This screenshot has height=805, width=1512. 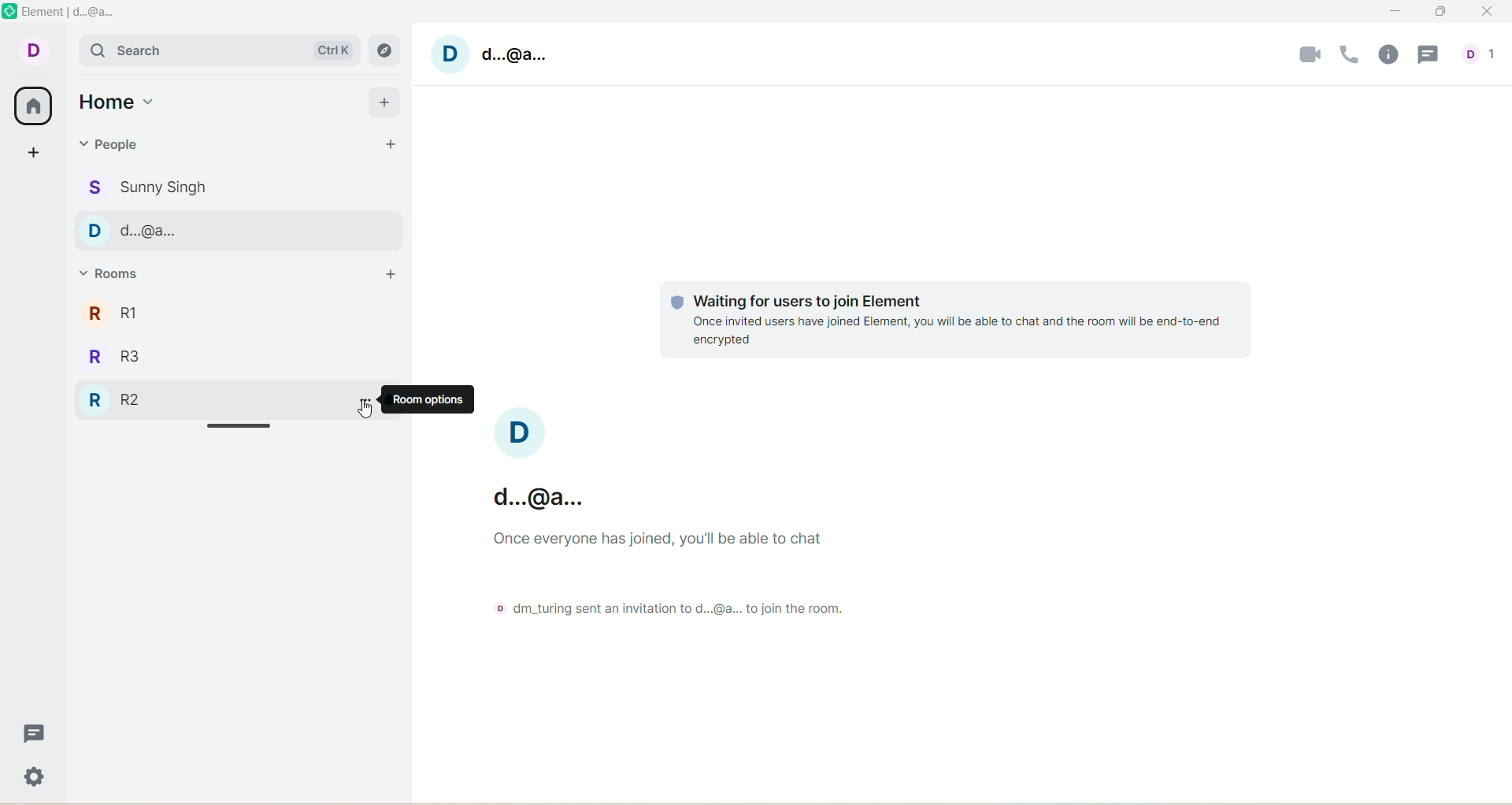 I want to click on sunny singh, so click(x=238, y=185).